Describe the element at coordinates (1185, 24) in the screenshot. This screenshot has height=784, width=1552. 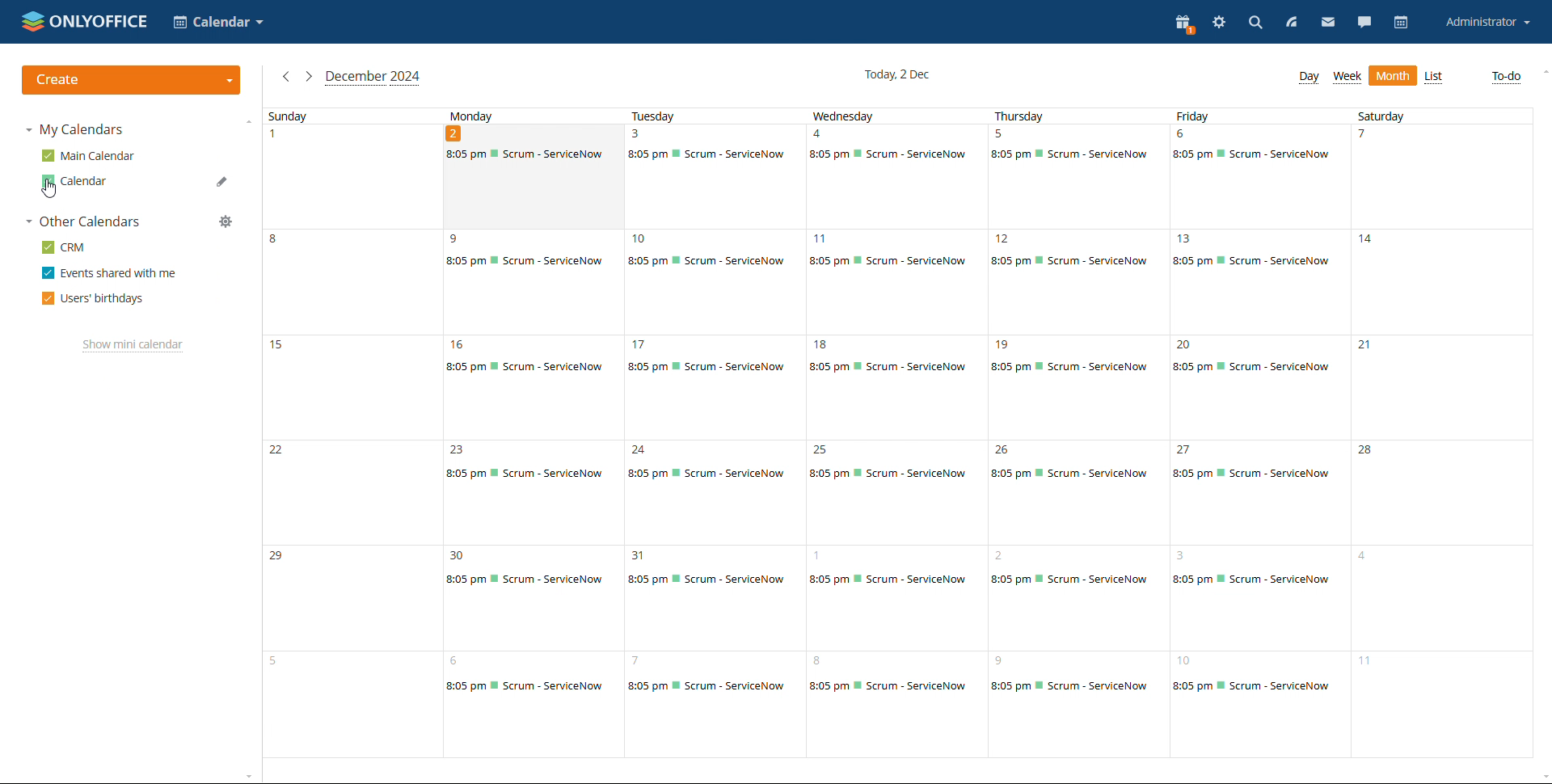
I see `present` at that location.